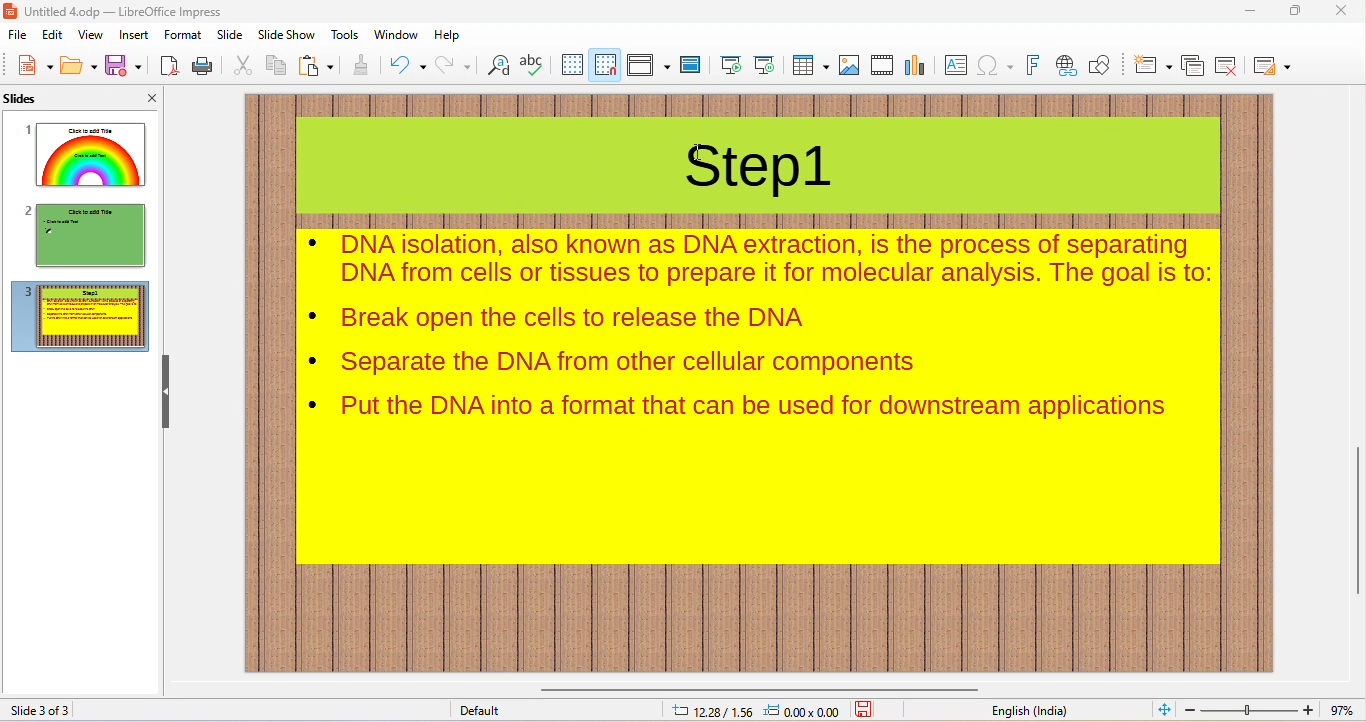 The width and height of the screenshot is (1366, 722). What do you see at coordinates (1165, 708) in the screenshot?
I see `fit to current view` at bounding box center [1165, 708].